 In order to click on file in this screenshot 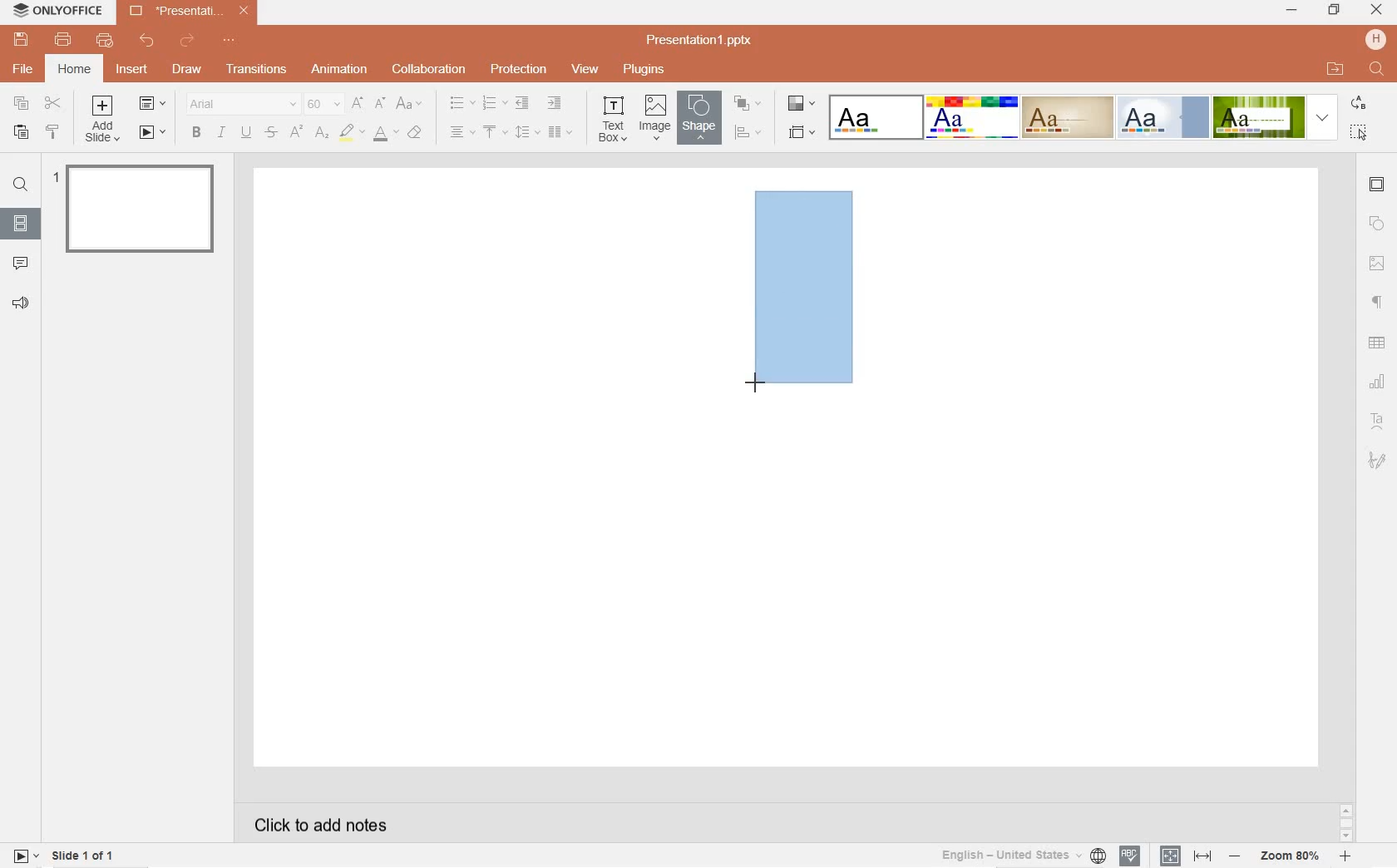, I will do `click(24, 69)`.